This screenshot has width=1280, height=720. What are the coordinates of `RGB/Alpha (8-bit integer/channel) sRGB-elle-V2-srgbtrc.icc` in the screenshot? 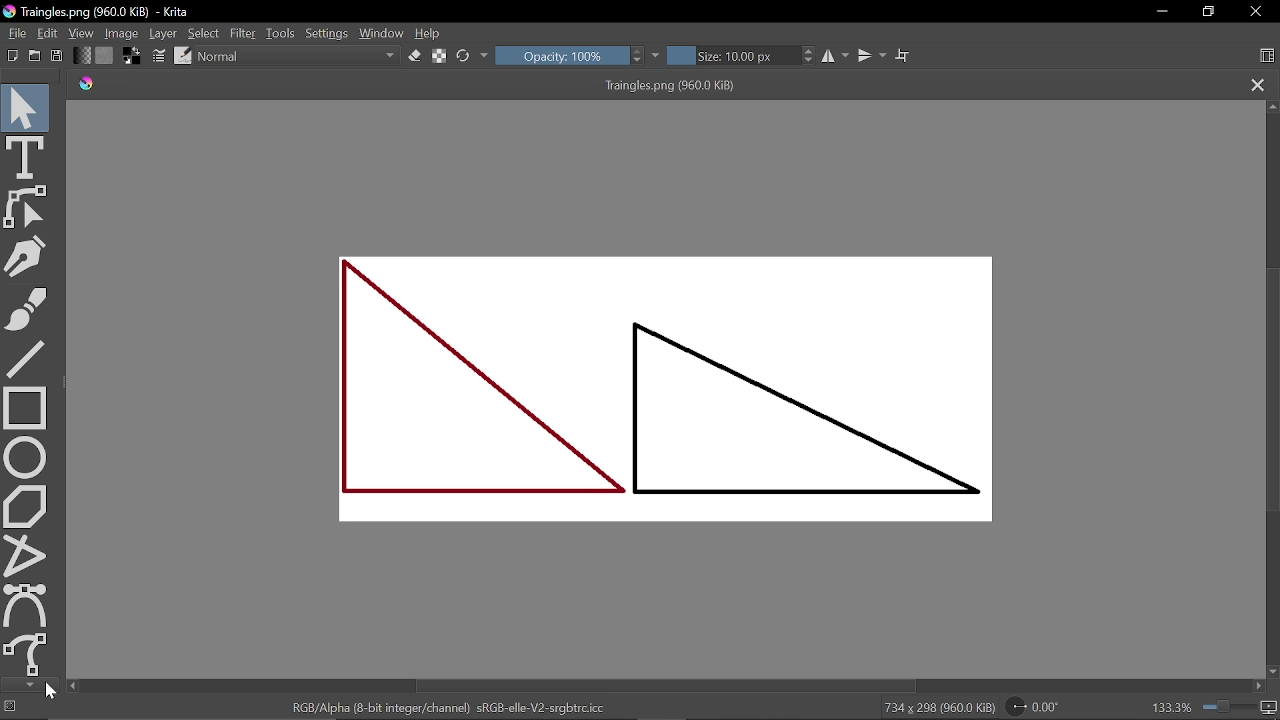 It's located at (444, 709).